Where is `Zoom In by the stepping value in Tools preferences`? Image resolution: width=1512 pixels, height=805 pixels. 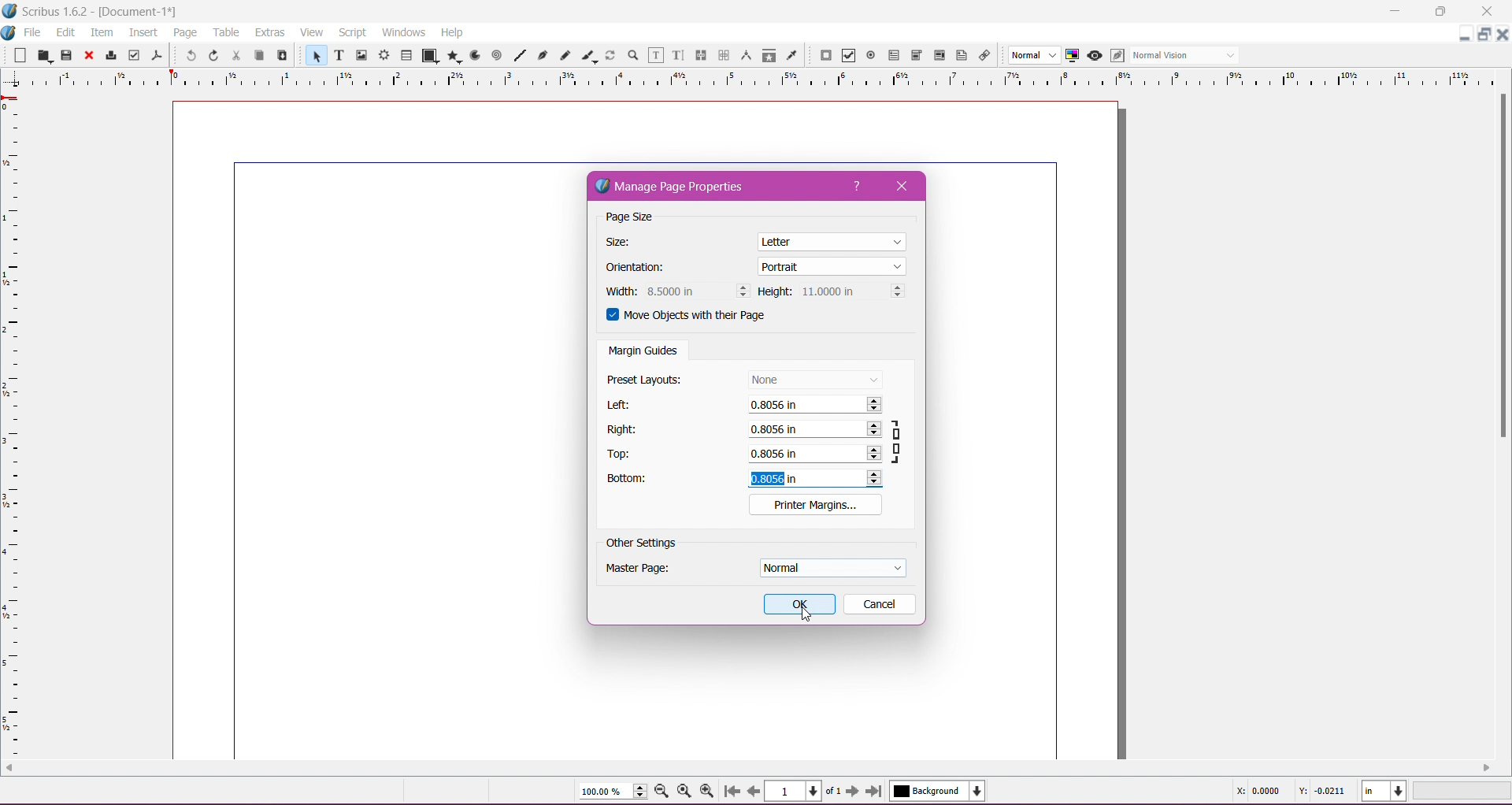 Zoom In by the stepping value in Tools preferences is located at coordinates (706, 789).